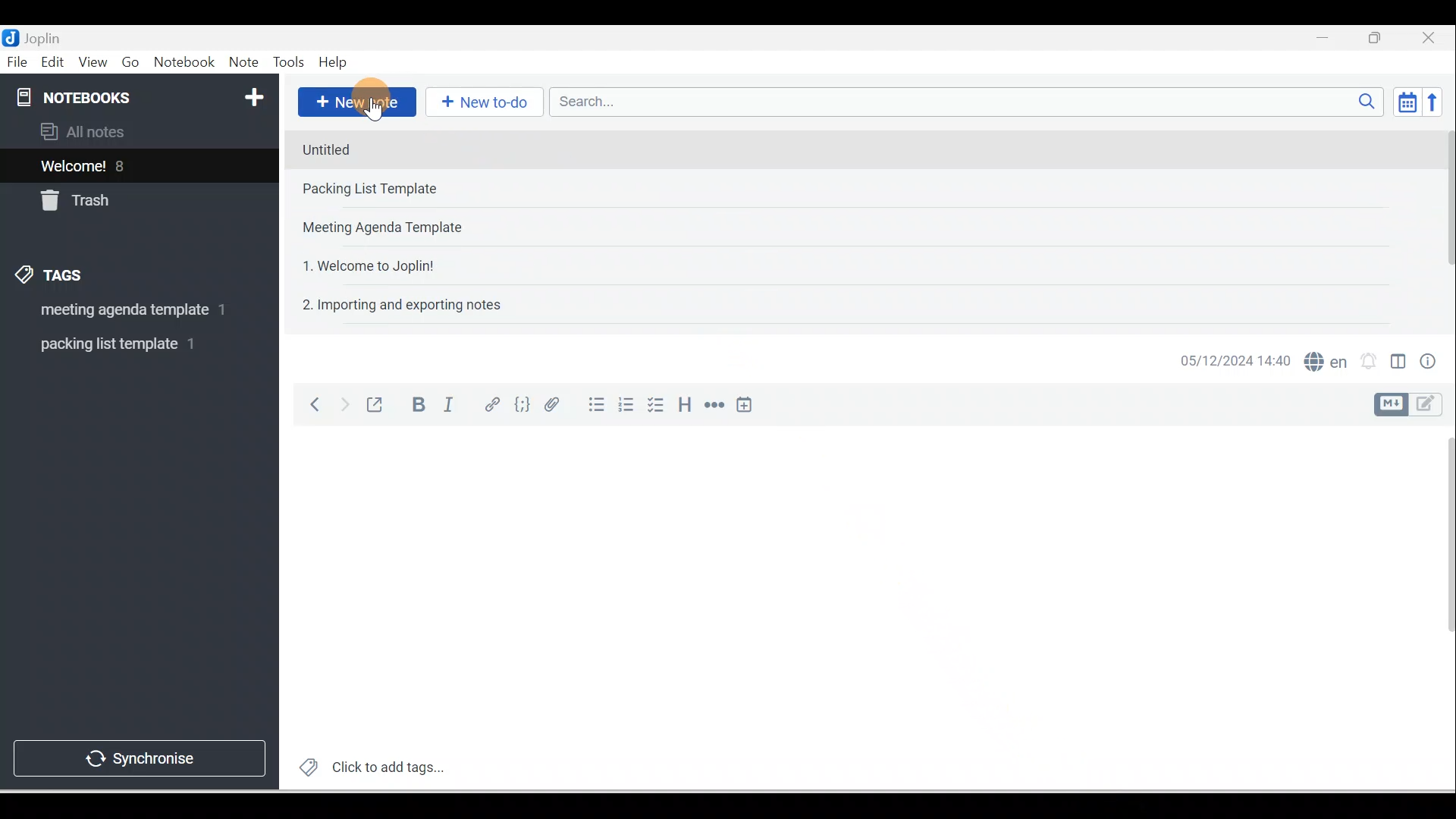 The image size is (1456, 819). Describe the element at coordinates (1232, 361) in the screenshot. I see `Date & time` at that location.